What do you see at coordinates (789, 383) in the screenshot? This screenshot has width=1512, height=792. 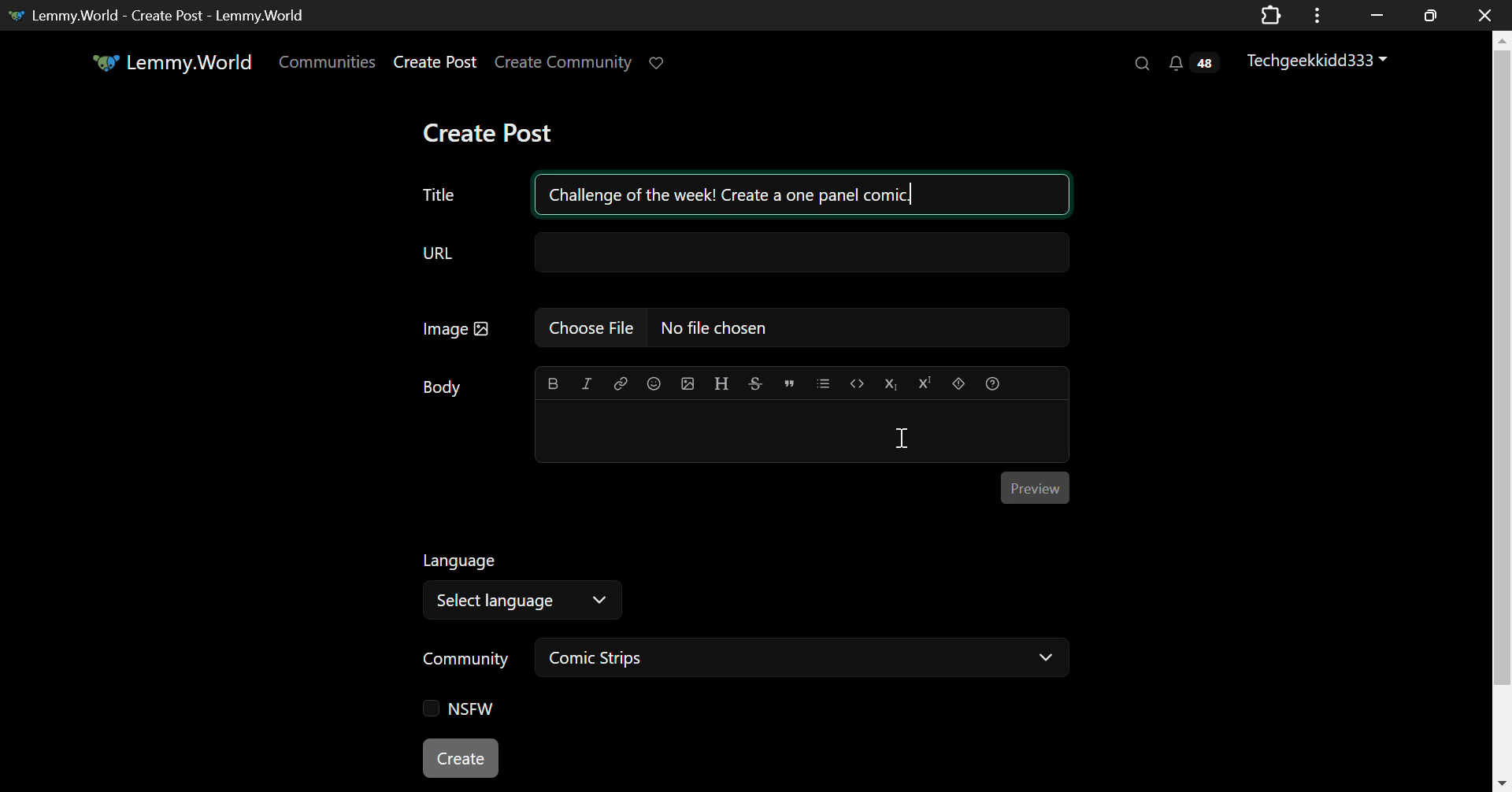 I see `quote` at bounding box center [789, 383].